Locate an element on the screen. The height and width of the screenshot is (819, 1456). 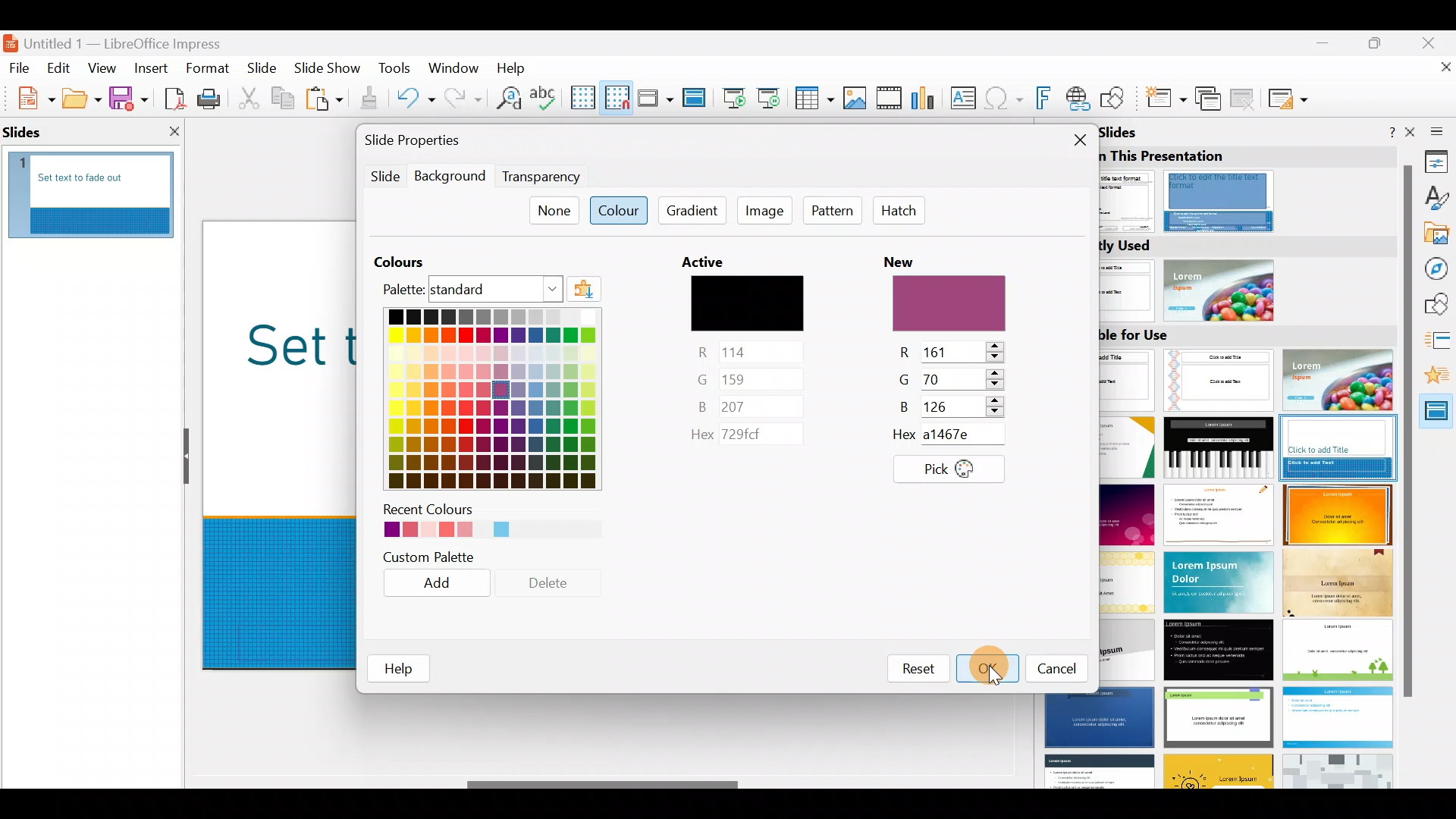
Close is located at coordinates (1075, 140).